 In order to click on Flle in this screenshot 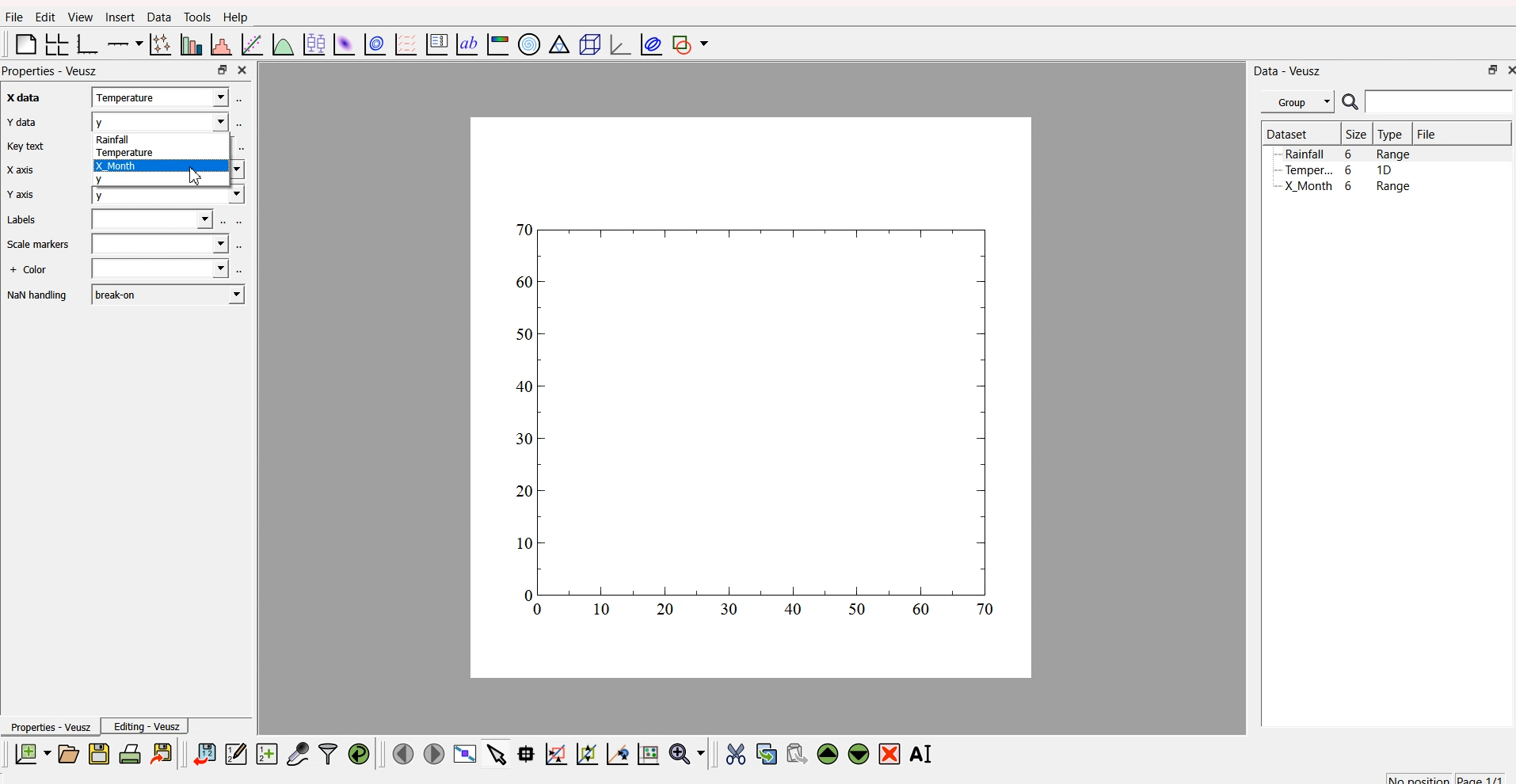, I will do `click(14, 19)`.